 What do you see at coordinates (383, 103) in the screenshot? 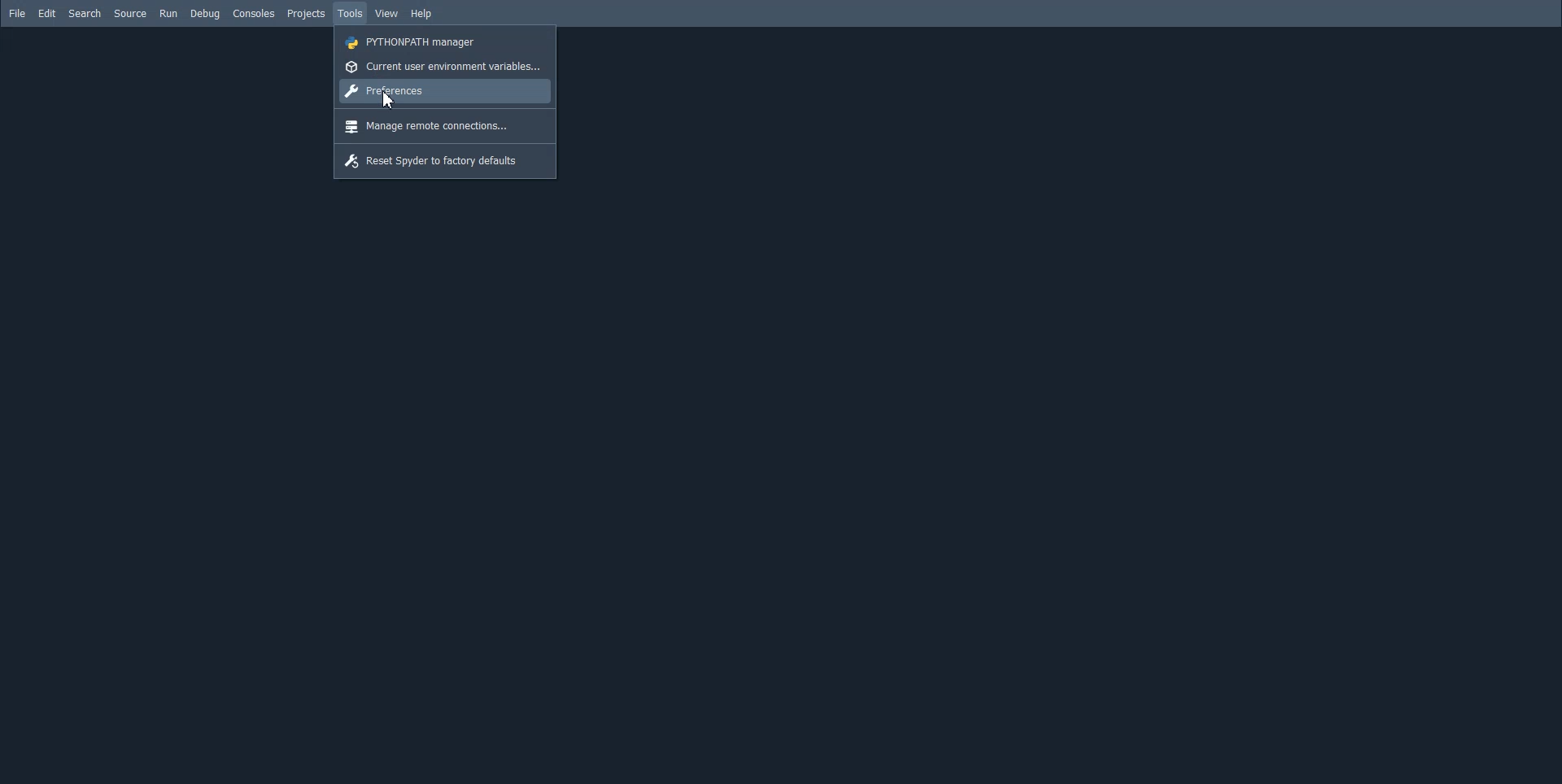
I see `Cursor on Preferences` at bounding box center [383, 103].